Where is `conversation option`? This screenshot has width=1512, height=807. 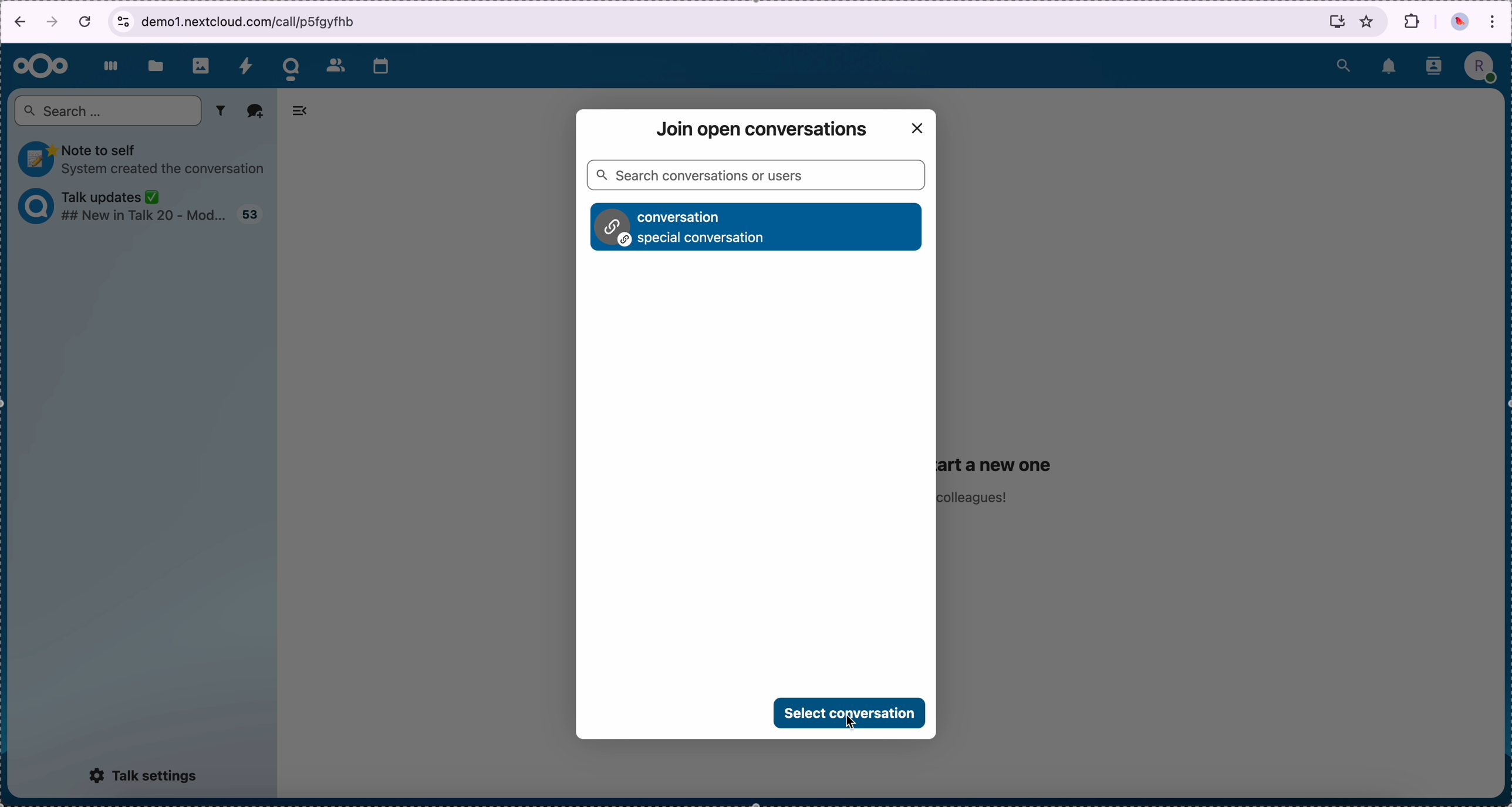
conversation option is located at coordinates (758, 228).